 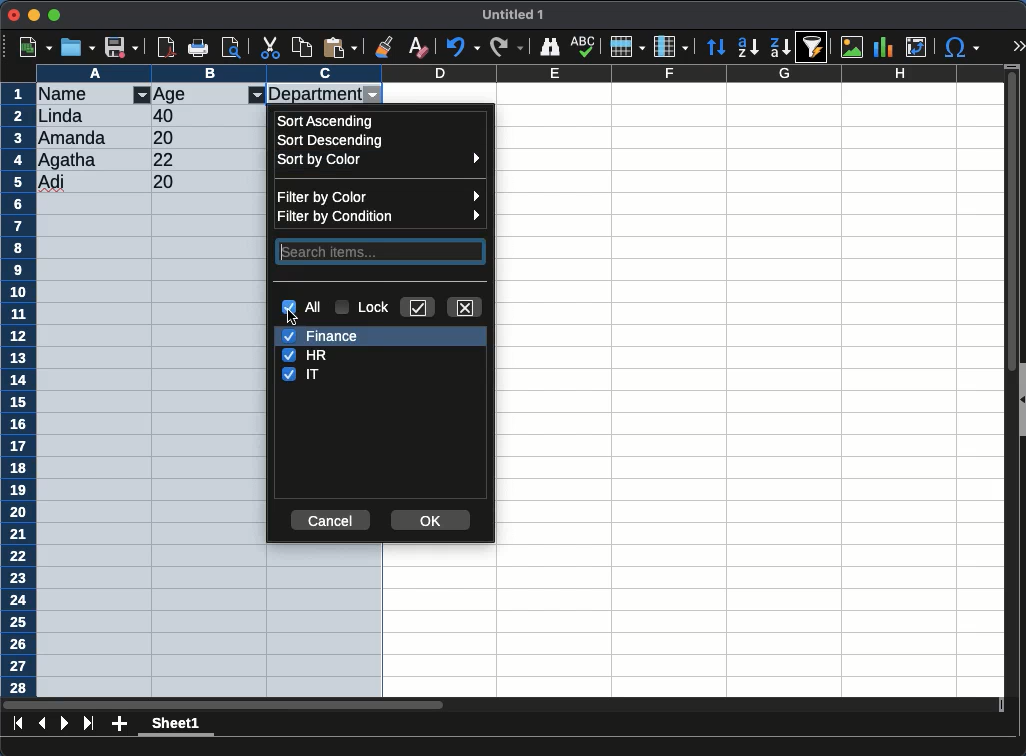 I want to click on check, so click(x=419, y=307).